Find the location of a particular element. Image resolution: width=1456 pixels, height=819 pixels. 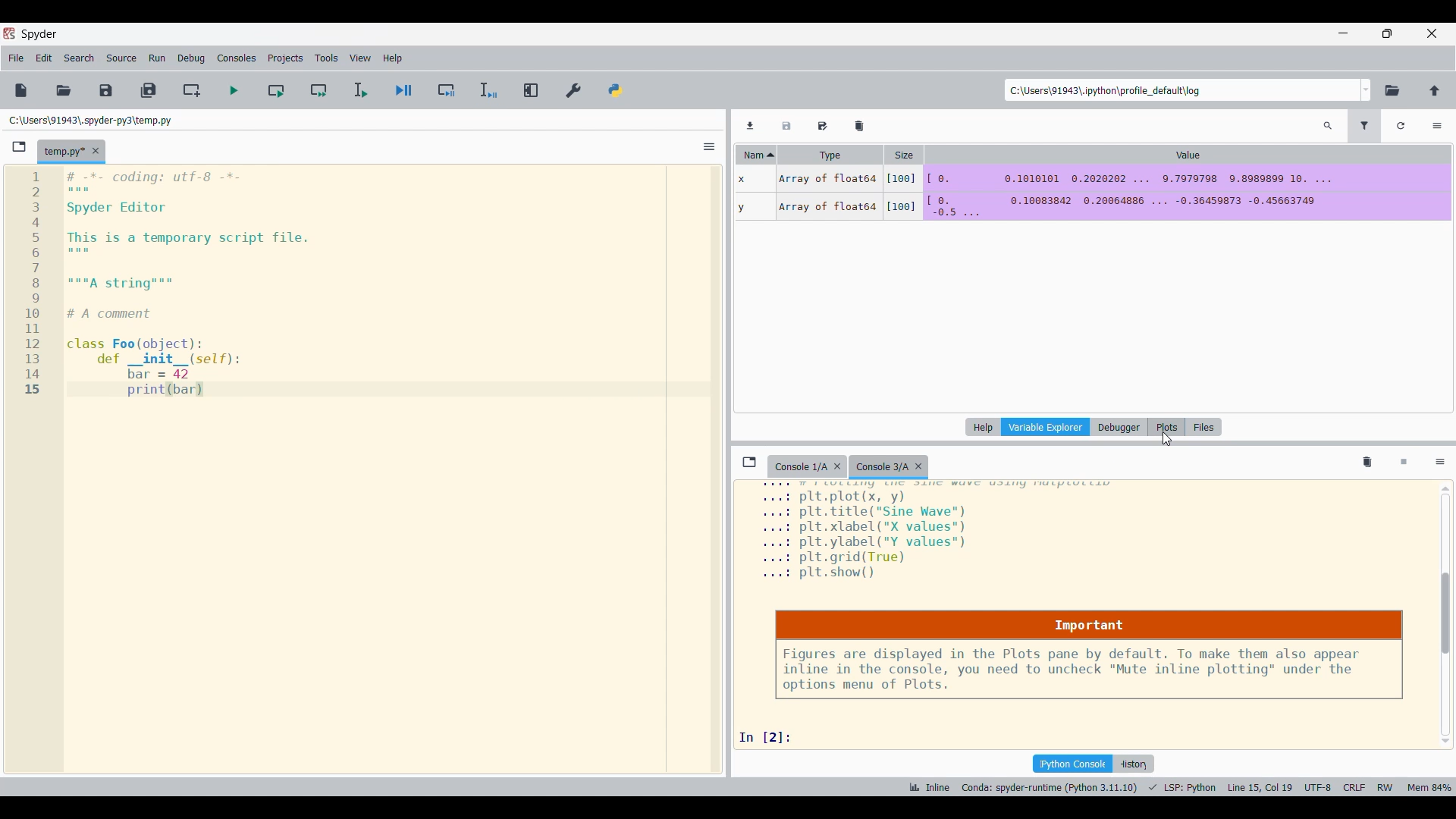

Maximize current pane is located at coordinates (532, 89).